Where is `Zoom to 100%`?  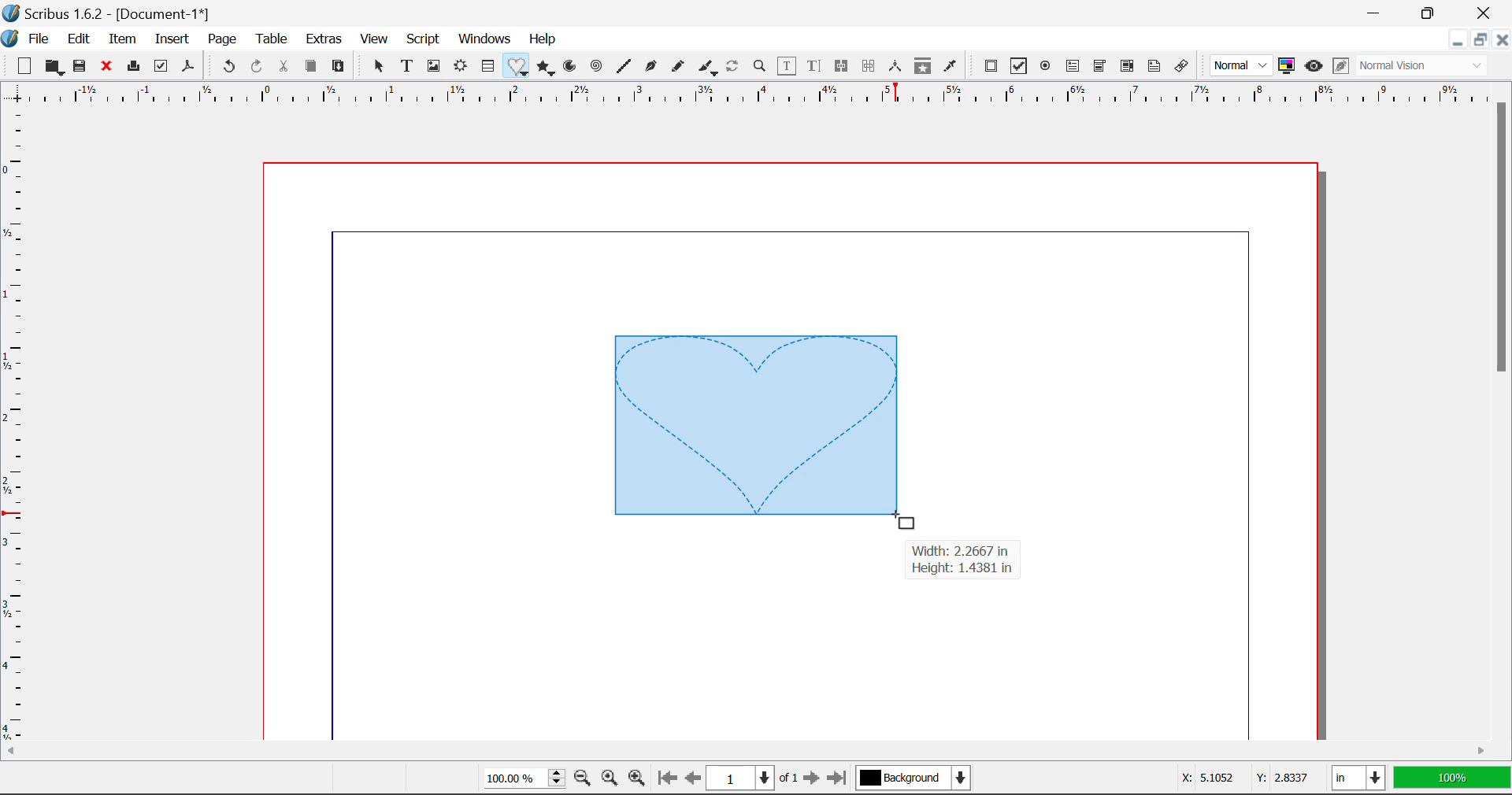 Zoom to 100% is located at coordinates (608, 780).